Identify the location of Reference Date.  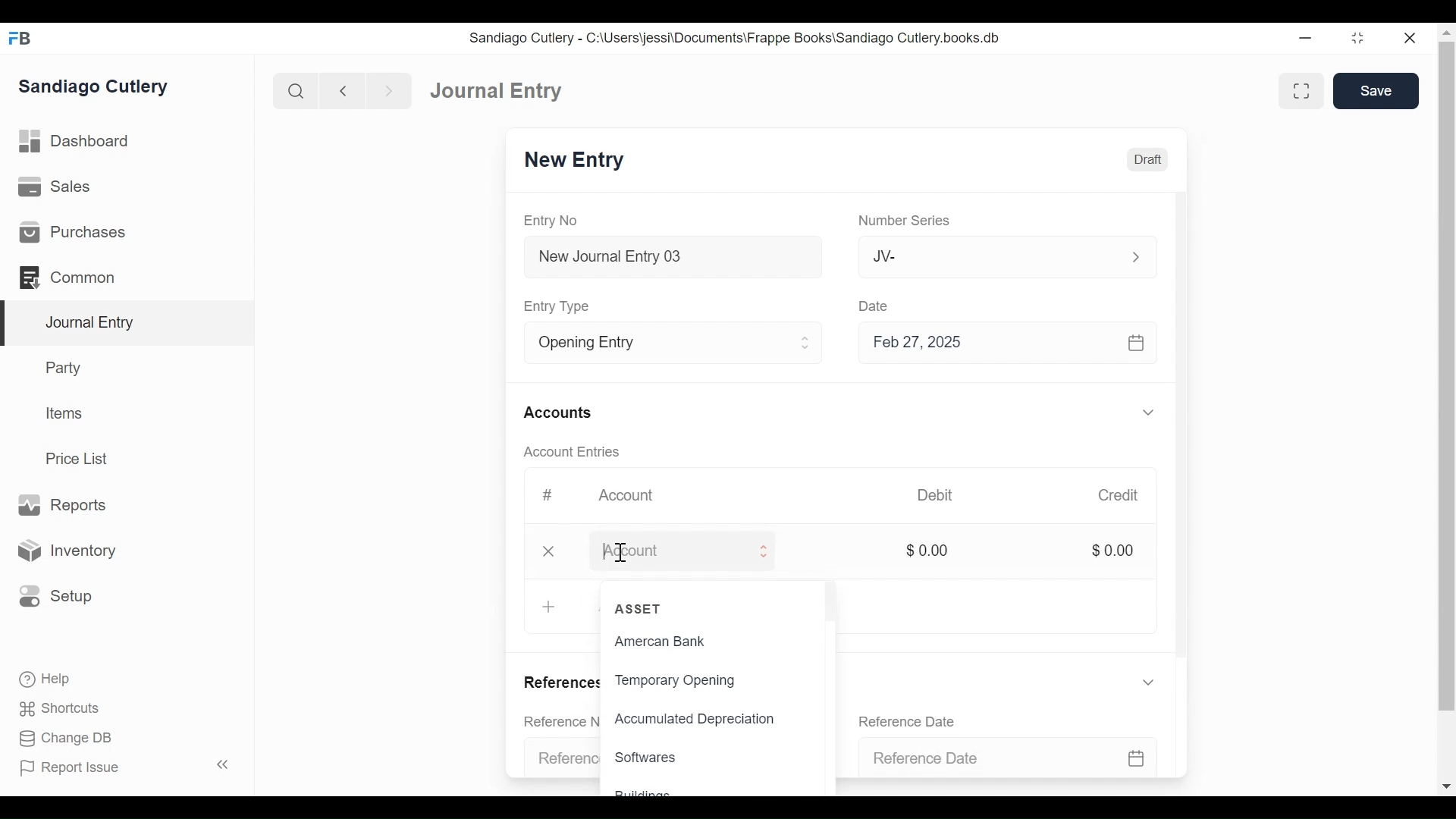
(906, 721).